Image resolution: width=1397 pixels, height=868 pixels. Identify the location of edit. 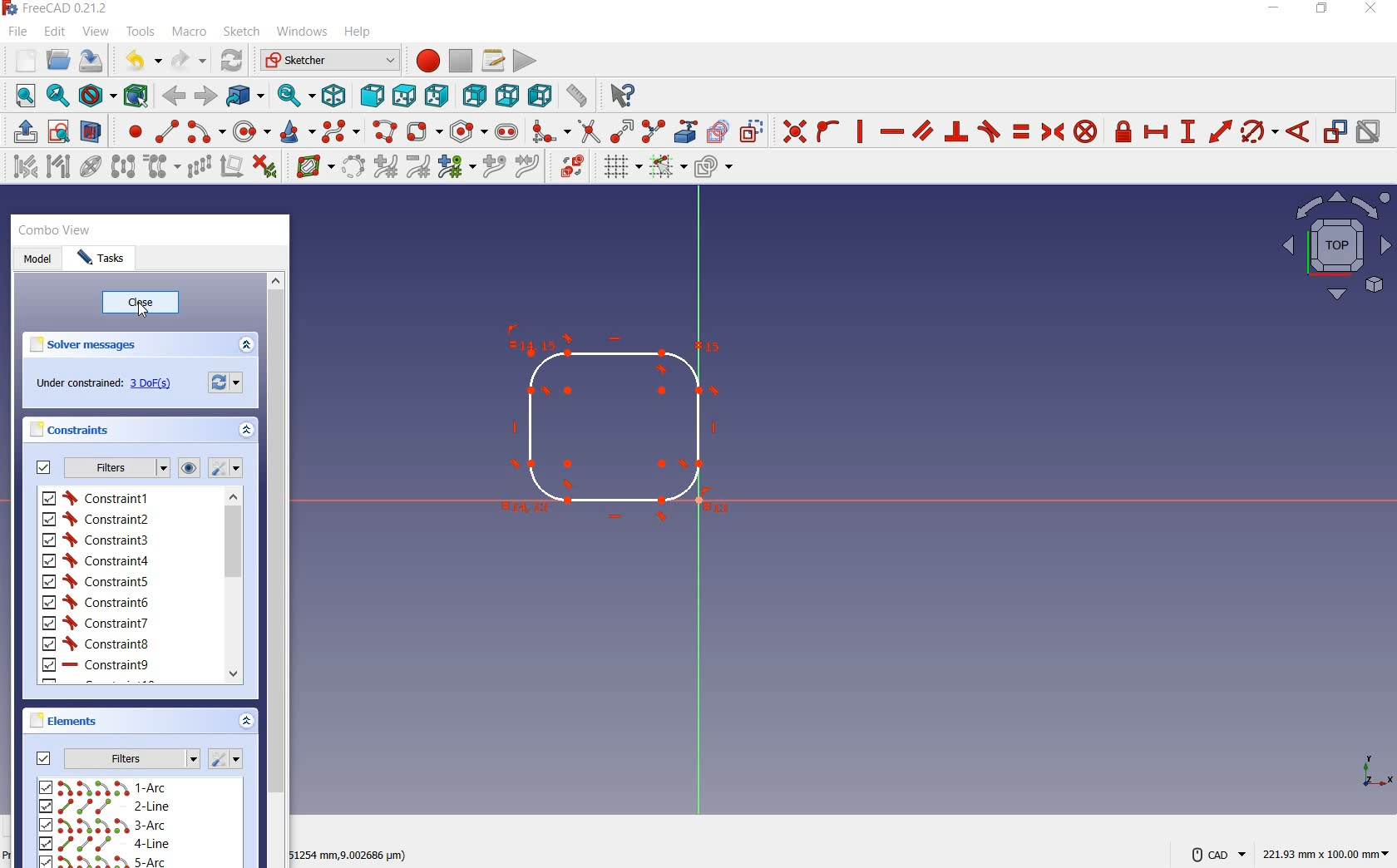
(56, 33).